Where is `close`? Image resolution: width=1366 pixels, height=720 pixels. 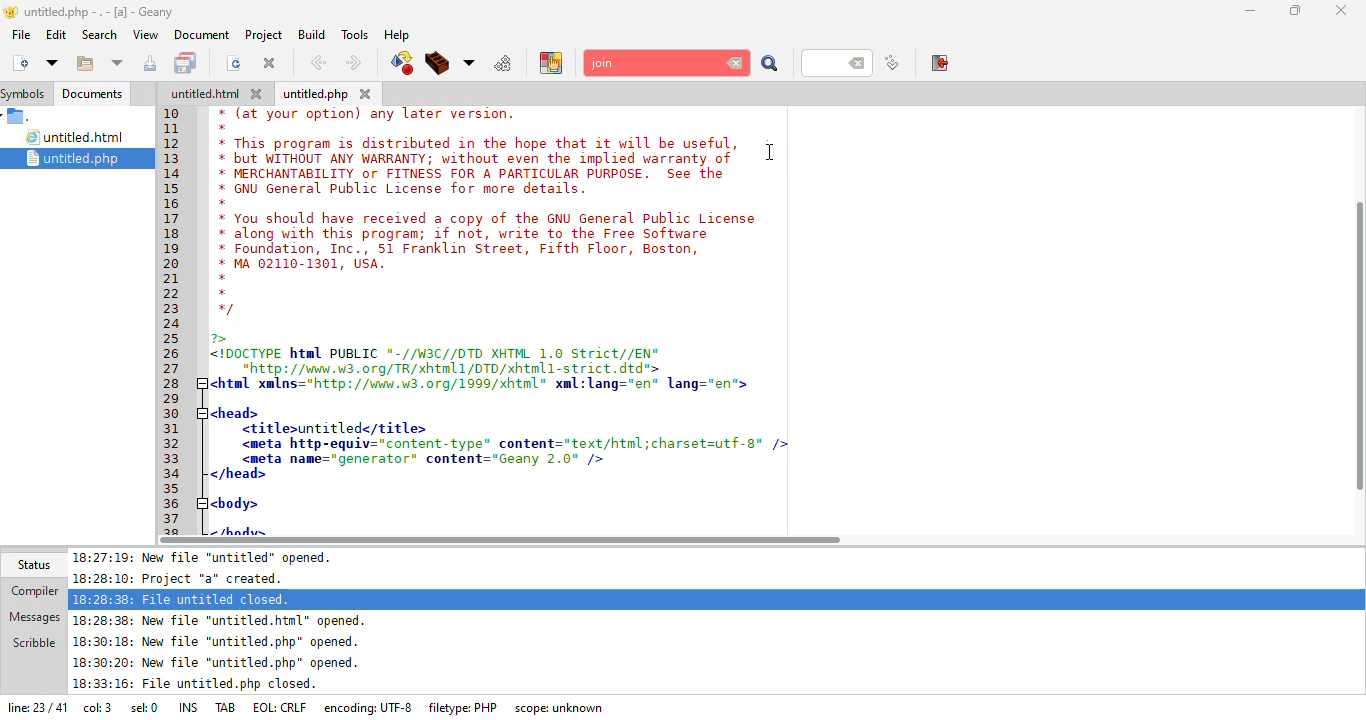 close is located at coordinates (1342, 8).